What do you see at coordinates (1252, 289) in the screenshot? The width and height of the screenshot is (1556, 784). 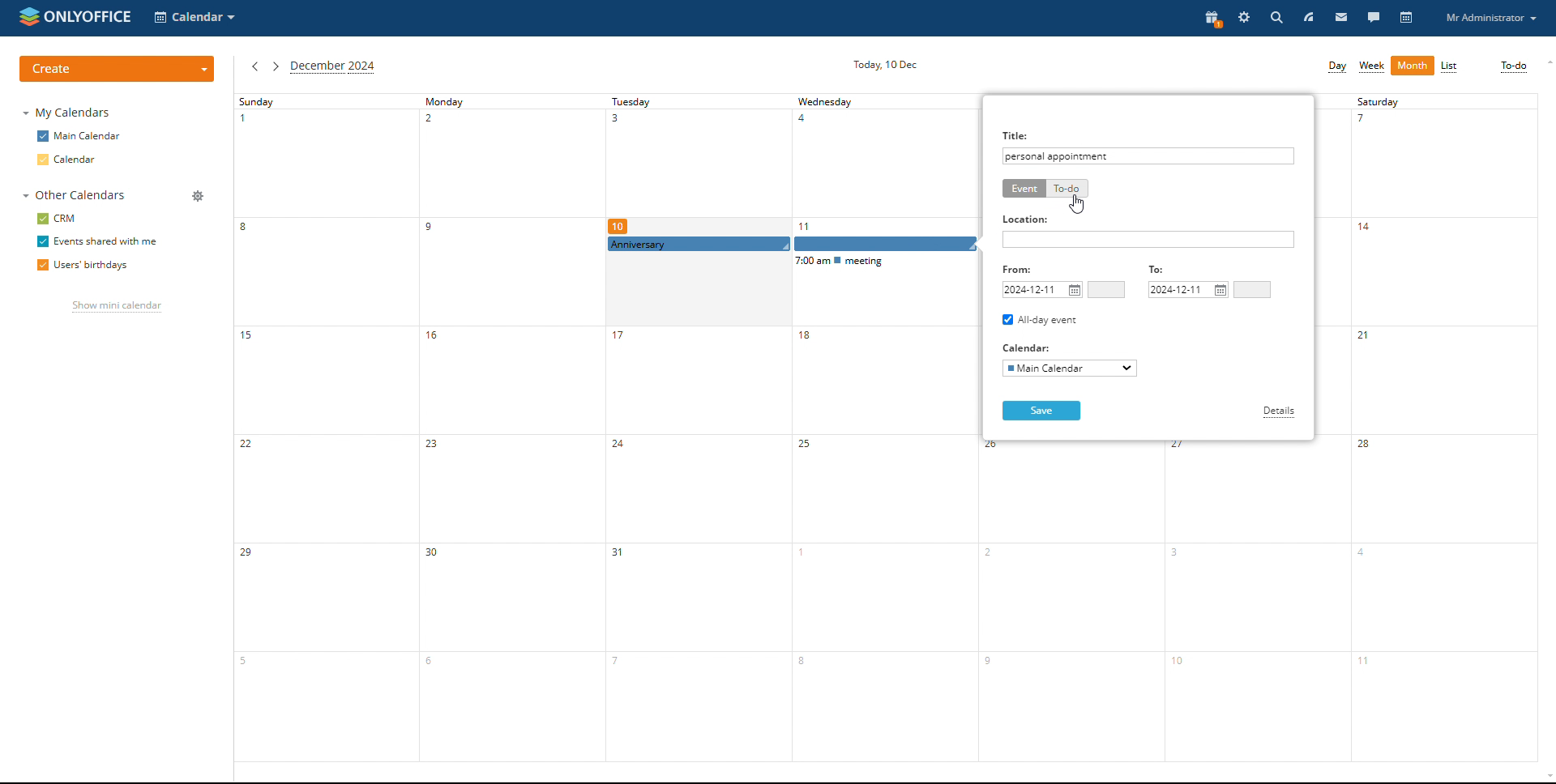 I see `end time` at bounding box center [1252, 289].